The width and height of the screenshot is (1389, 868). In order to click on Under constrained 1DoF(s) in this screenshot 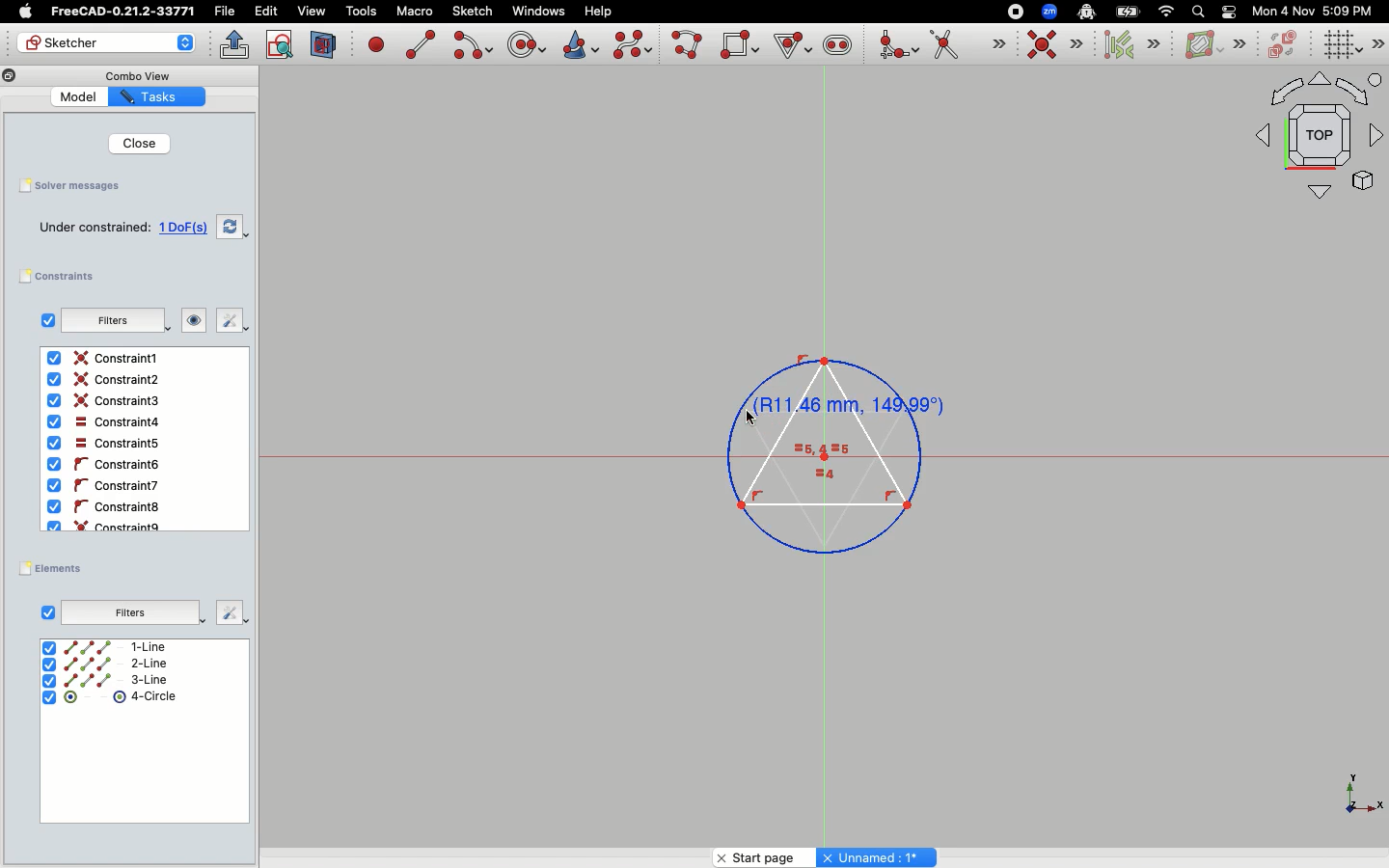, I will do `click(119, 226)`.